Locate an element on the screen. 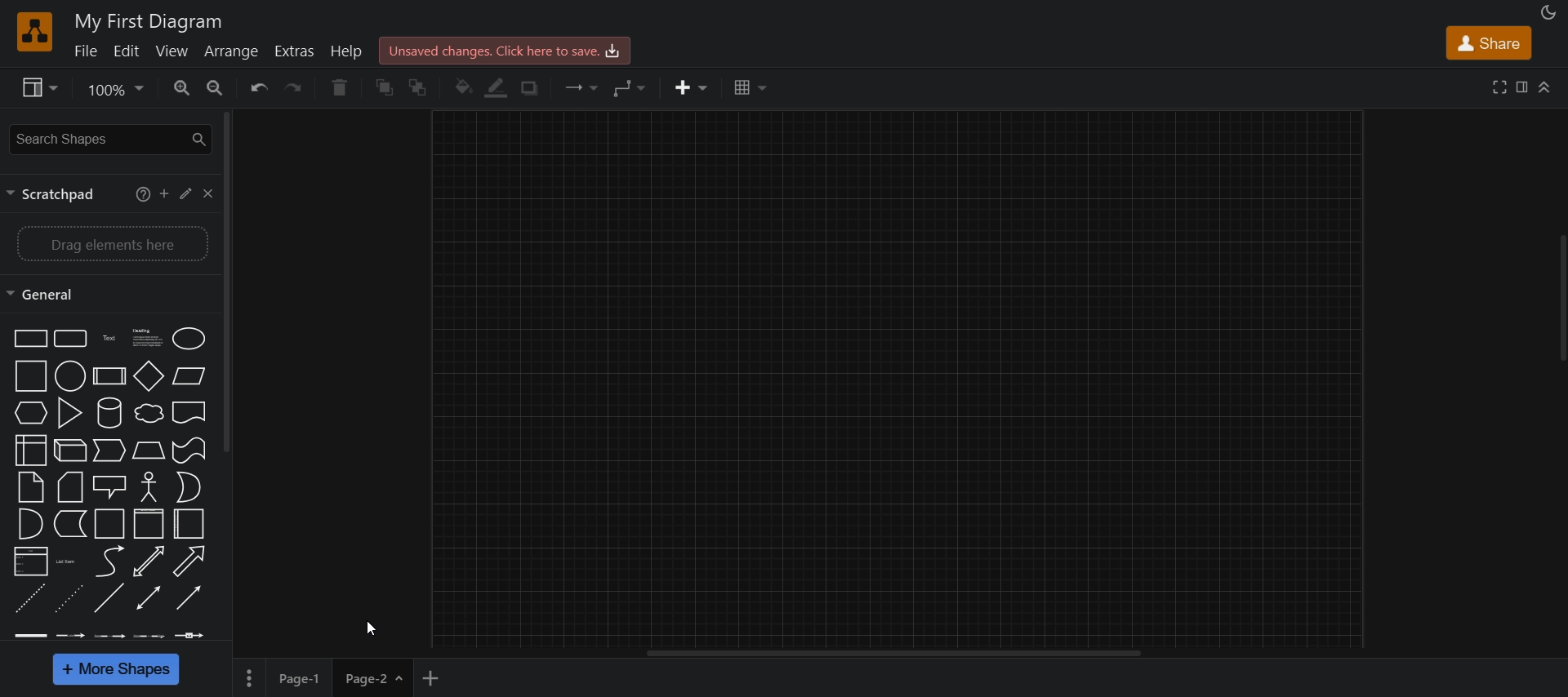 This screenshot has height=697, width=1568. connection is located at coordinates (584, 93).